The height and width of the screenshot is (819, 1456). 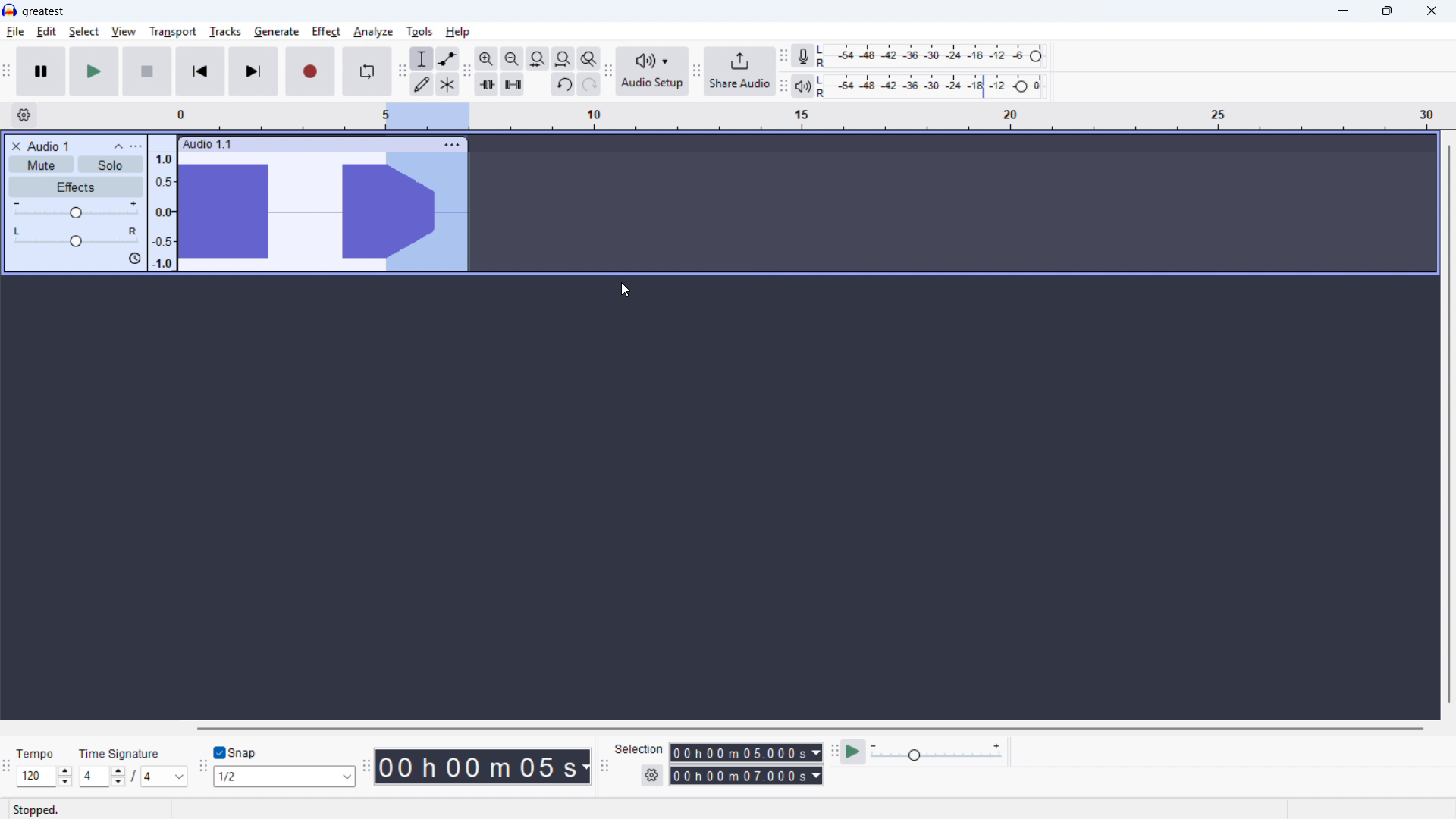 What do you see at coordinates (427, 211) in the screenshot?
I see `Waveform updated ` at bounding box center [427, 211].